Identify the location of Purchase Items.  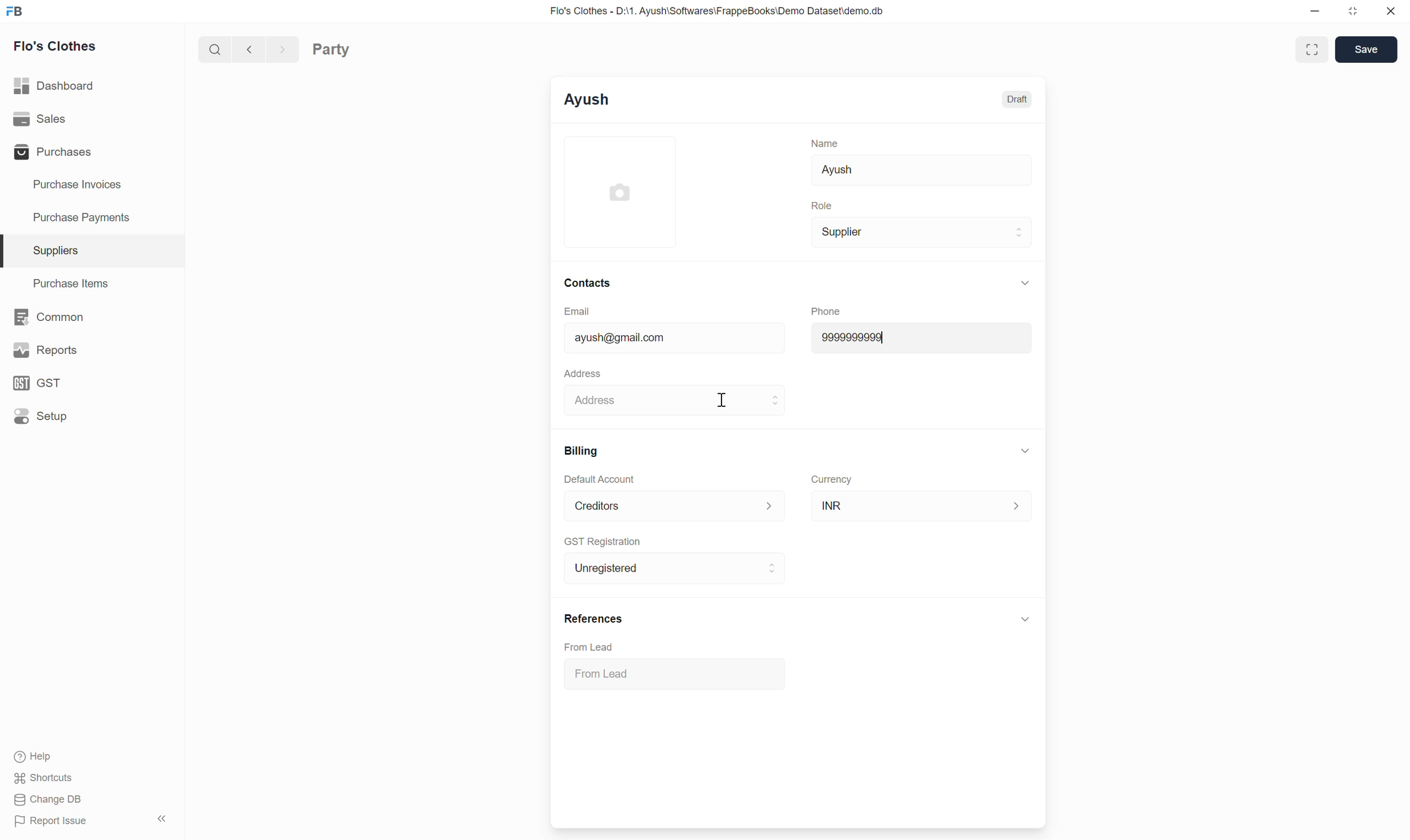
(92, 284).